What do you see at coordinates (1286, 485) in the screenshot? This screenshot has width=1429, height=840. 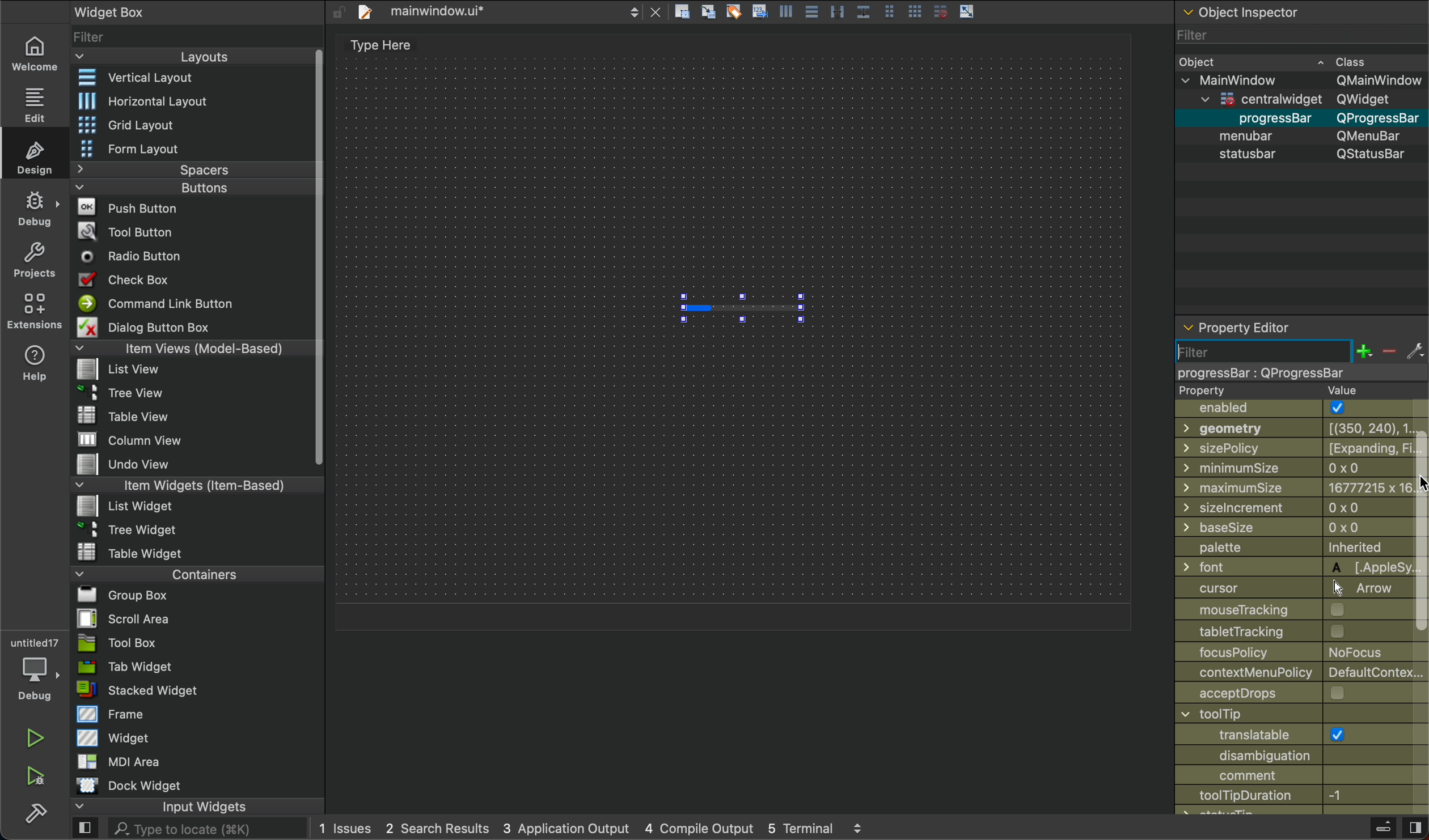 I see `Maximum size` at bounding box center [1286, 485].